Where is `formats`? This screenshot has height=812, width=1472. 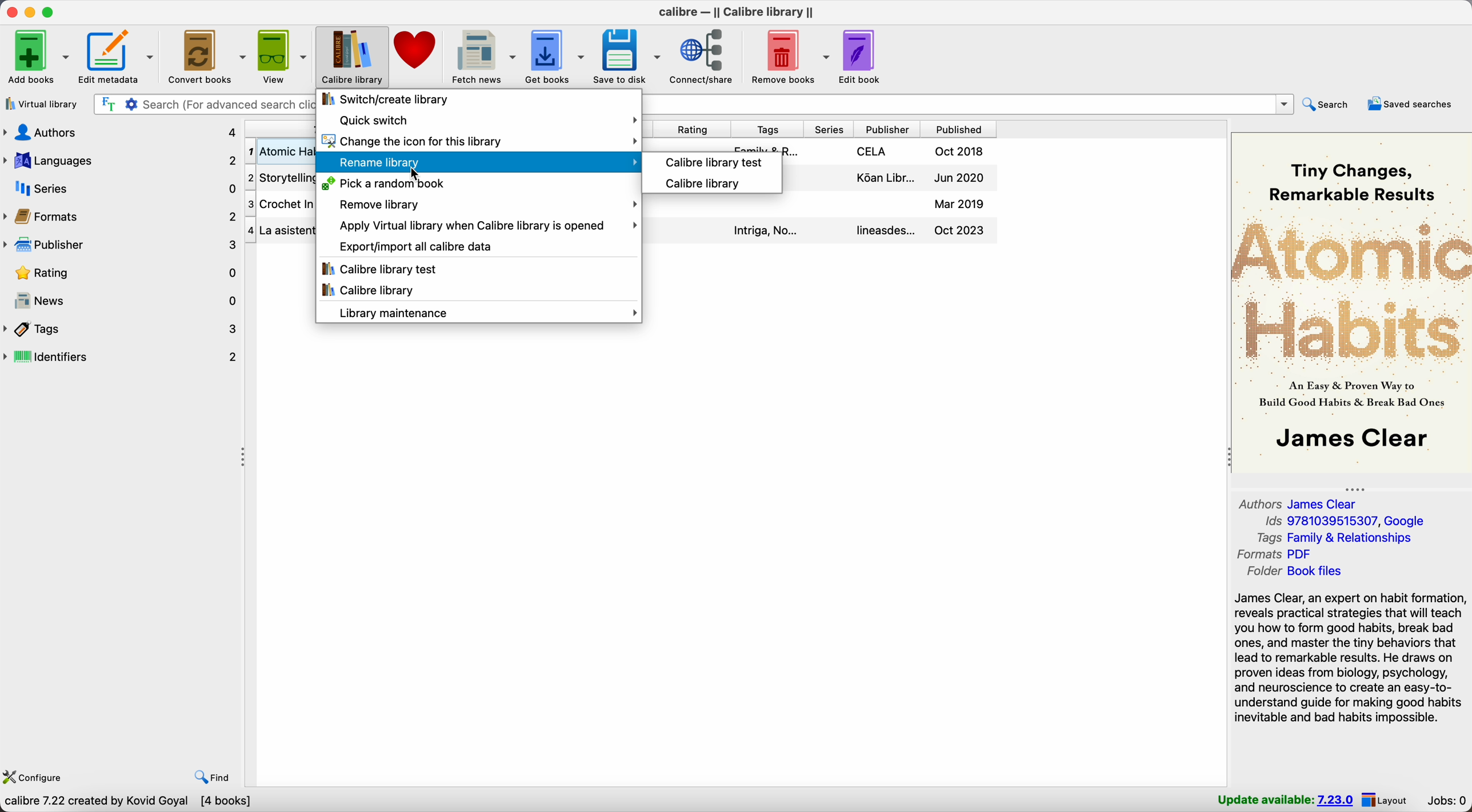 formats is located at coordinates (122, 216).